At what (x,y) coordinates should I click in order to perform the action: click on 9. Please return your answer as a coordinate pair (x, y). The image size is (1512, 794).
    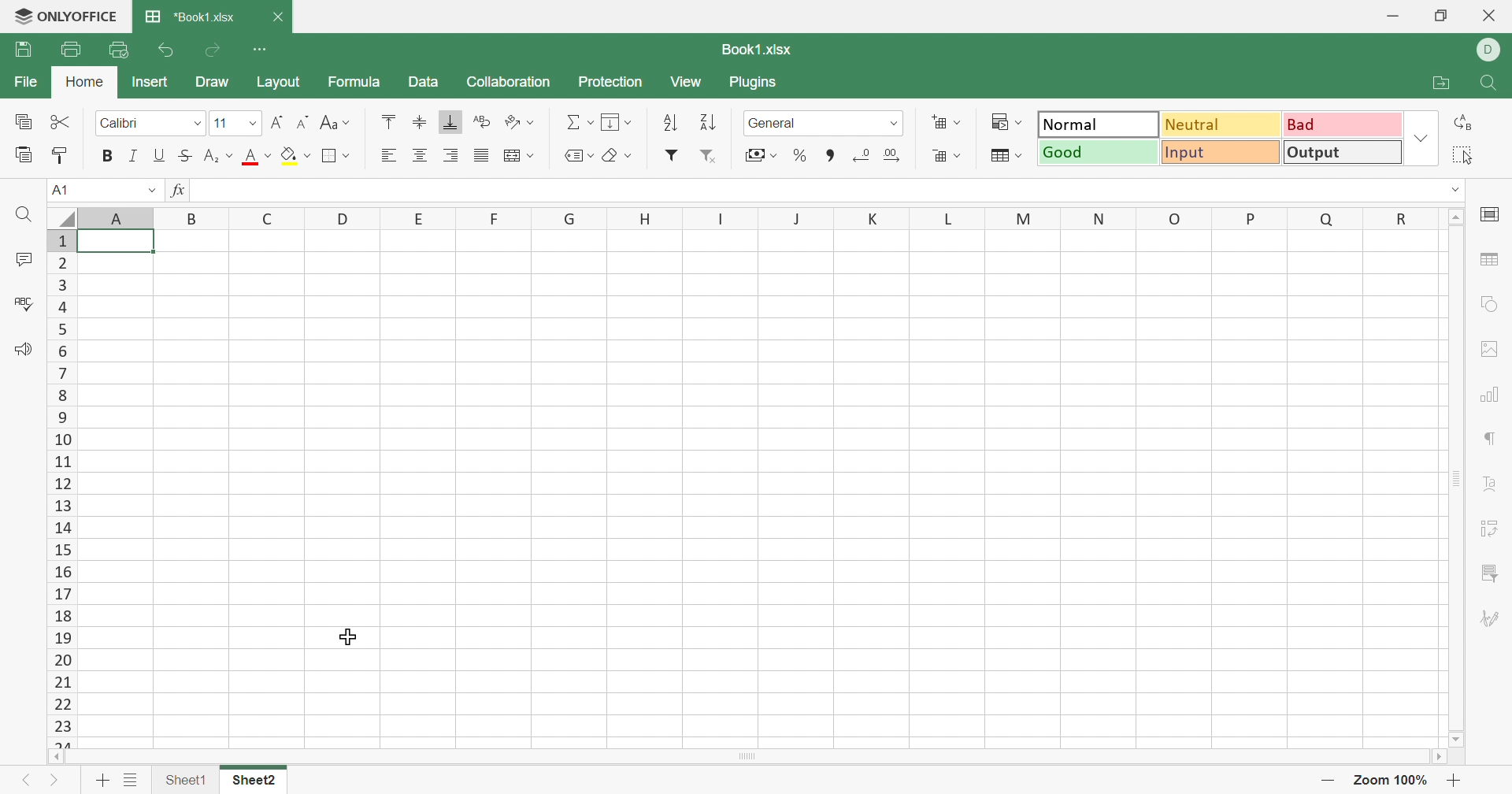
    Looking at the image, I should click on (58, 420).